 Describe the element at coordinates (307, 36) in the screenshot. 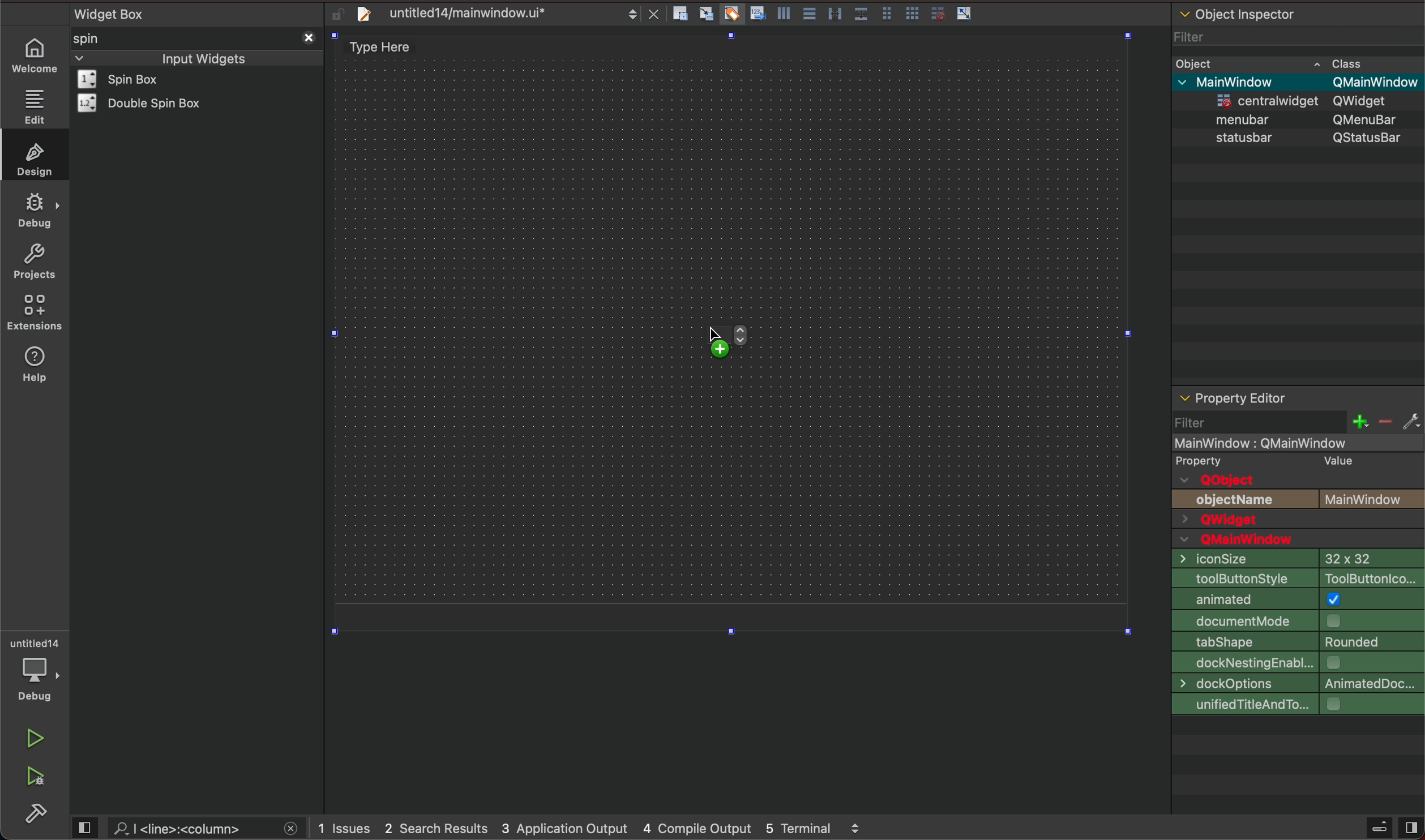

I see `close` at that location.